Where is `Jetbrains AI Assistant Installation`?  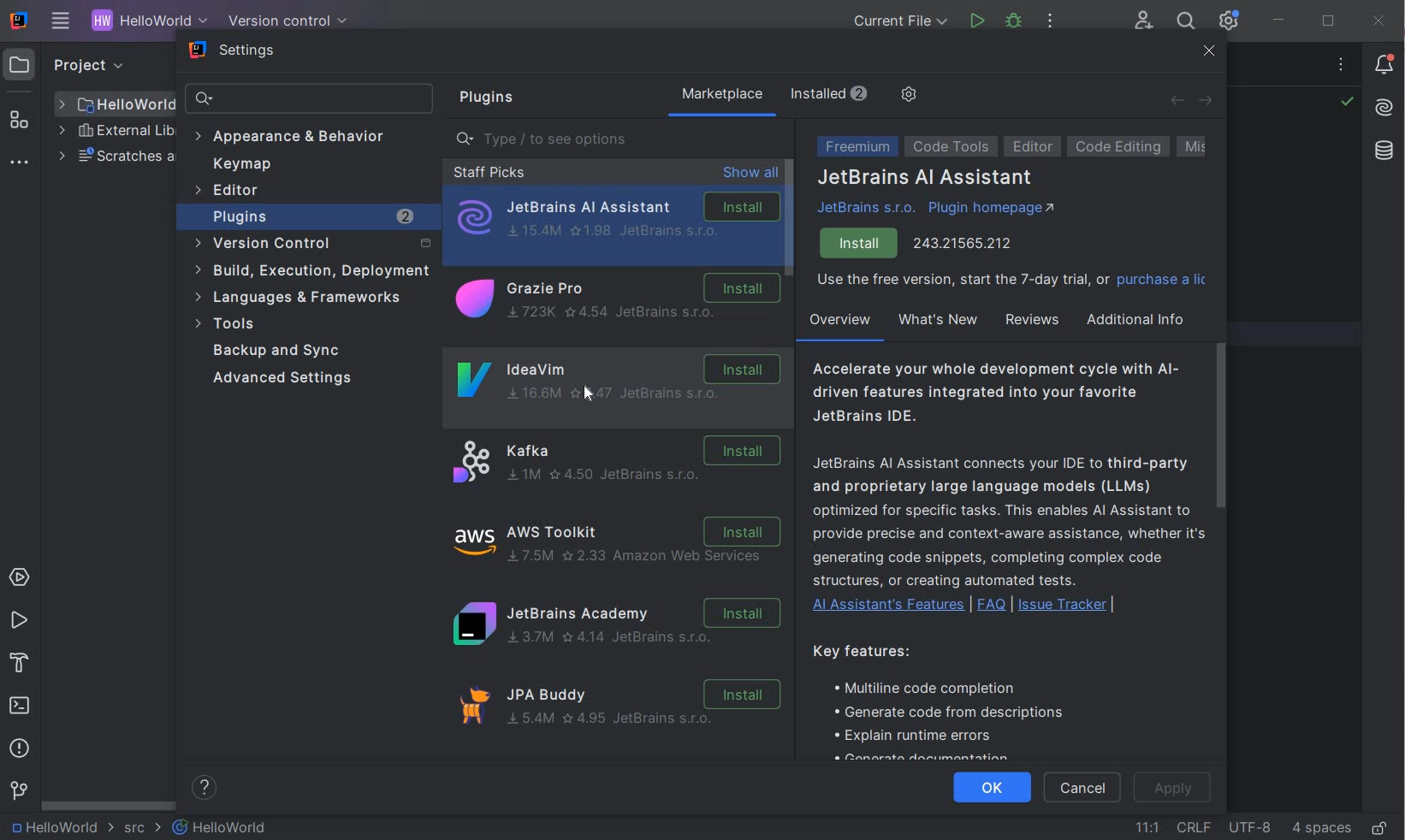
Jetbrains AI Assistant Installation is located at coordinates (616, 218).